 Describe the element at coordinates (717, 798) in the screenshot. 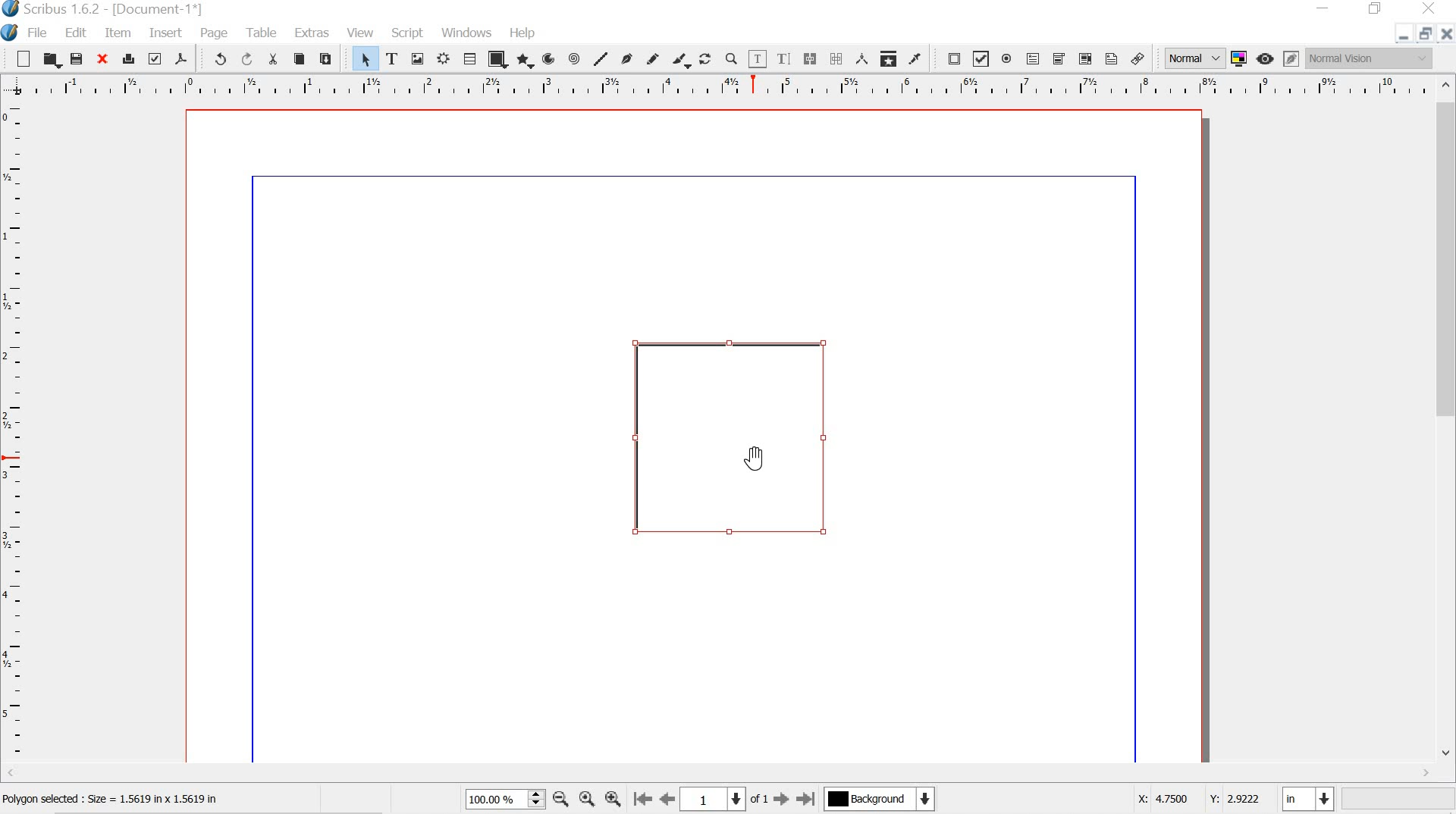

I see `1` at that location.